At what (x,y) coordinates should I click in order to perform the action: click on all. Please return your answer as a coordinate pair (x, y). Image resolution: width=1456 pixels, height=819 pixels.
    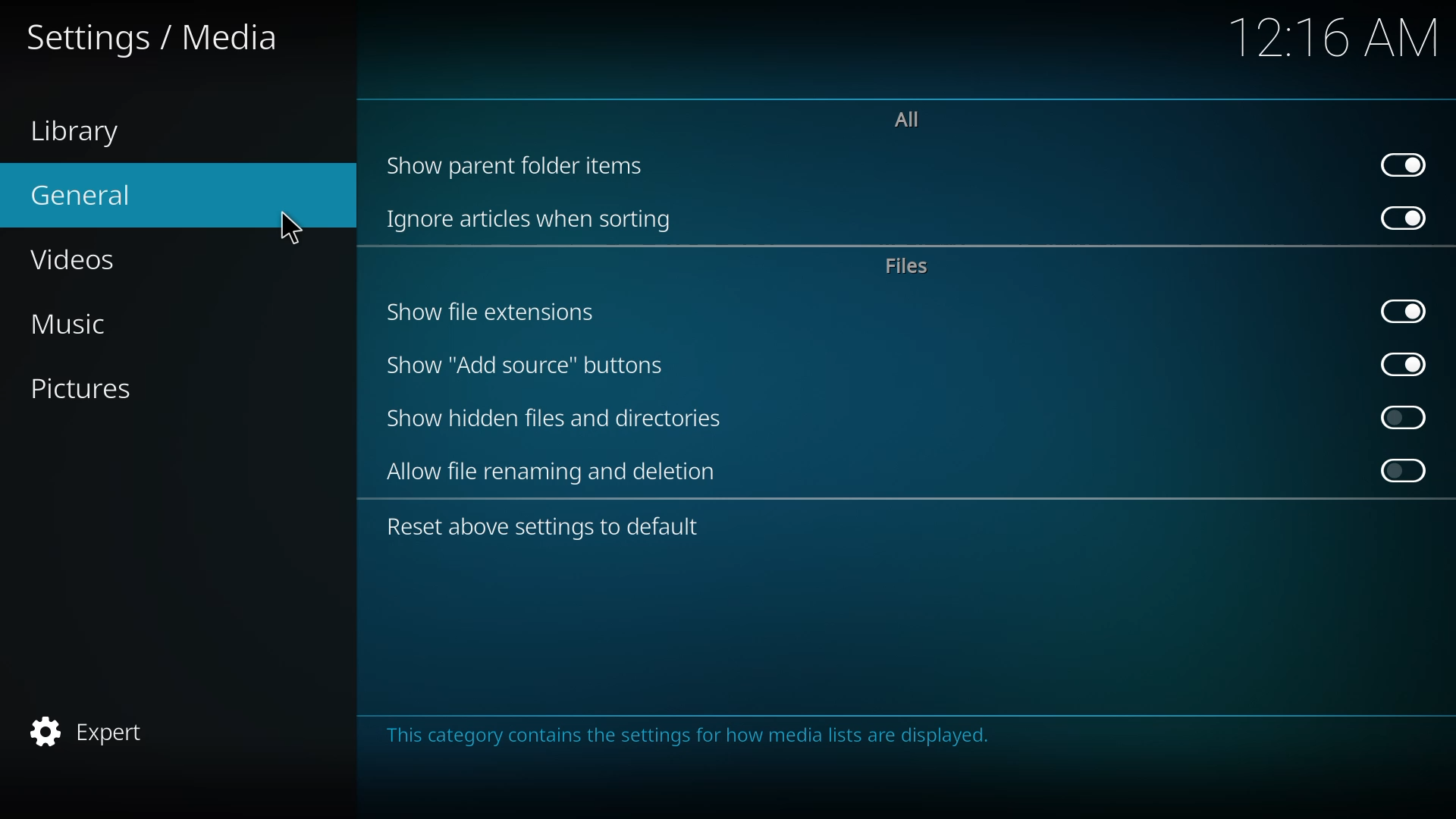
    Looking at the image, I should click on (906, 117).